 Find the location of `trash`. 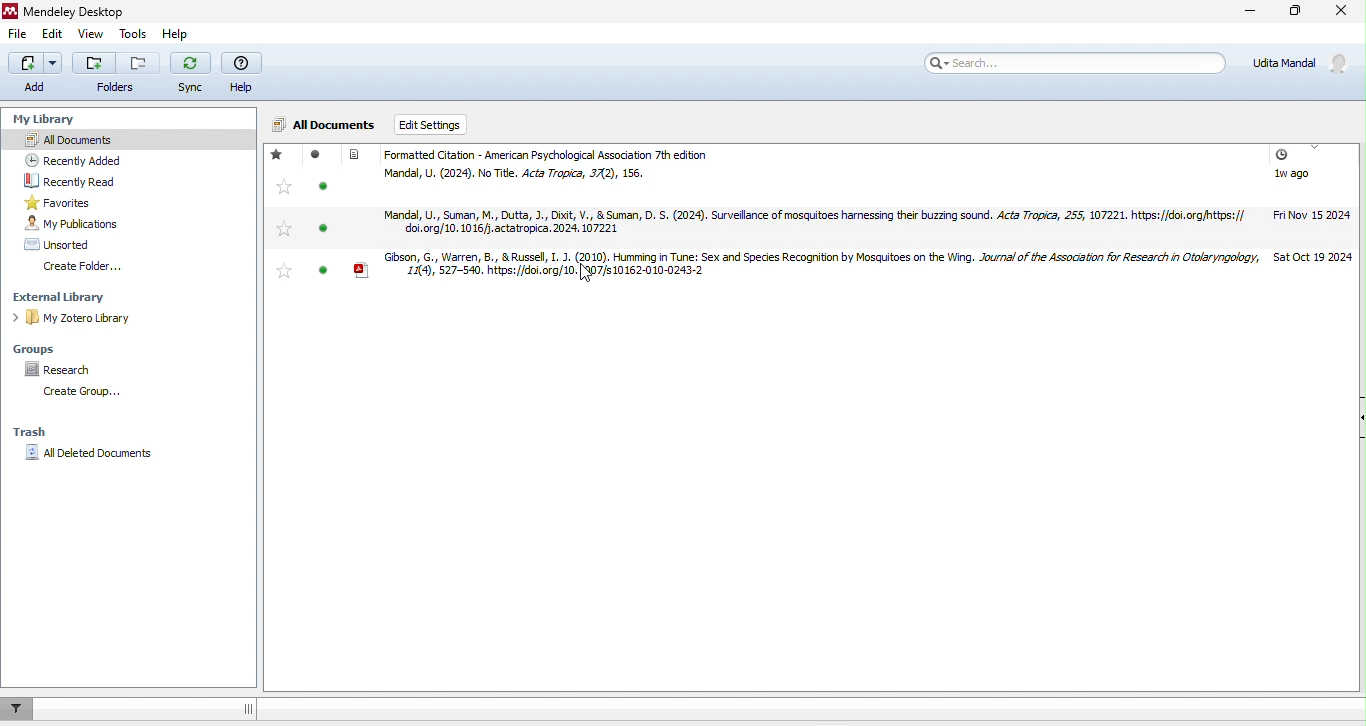

trash is located at coordinates (35, 434).